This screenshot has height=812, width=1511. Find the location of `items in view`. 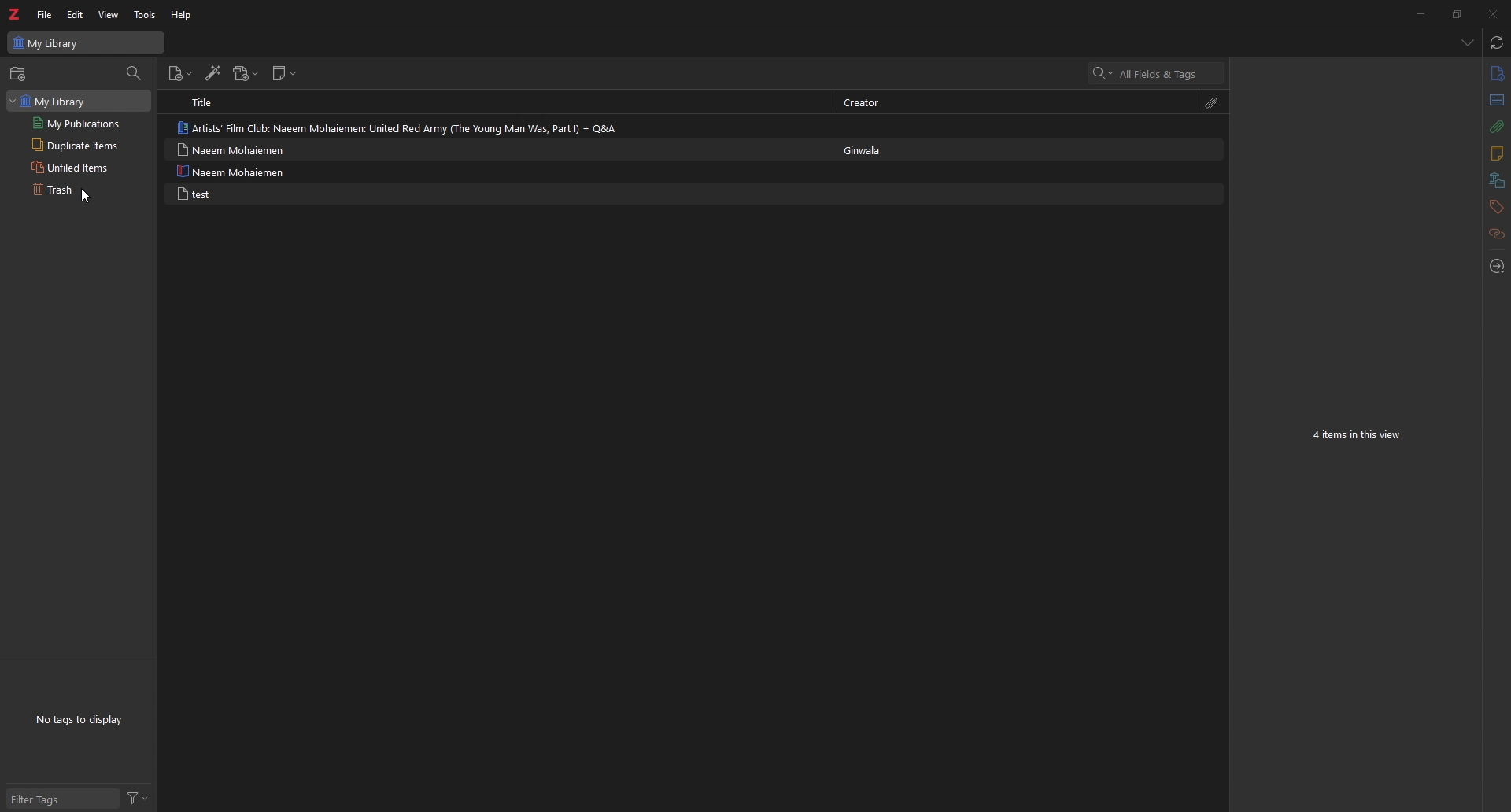

items in view is located at coordinates (1357, 434).